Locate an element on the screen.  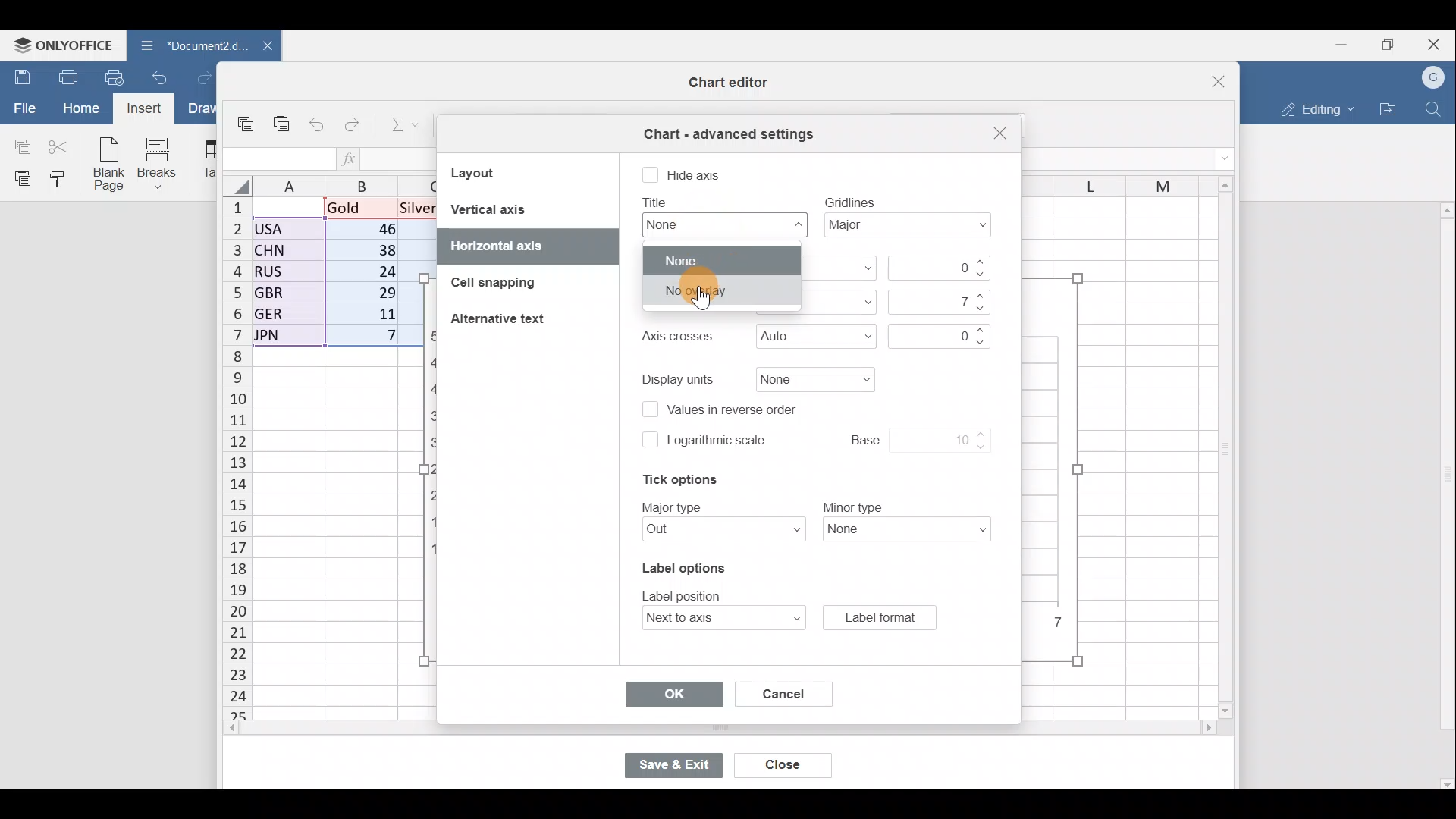
Redo is located at coordinates (202, 74).